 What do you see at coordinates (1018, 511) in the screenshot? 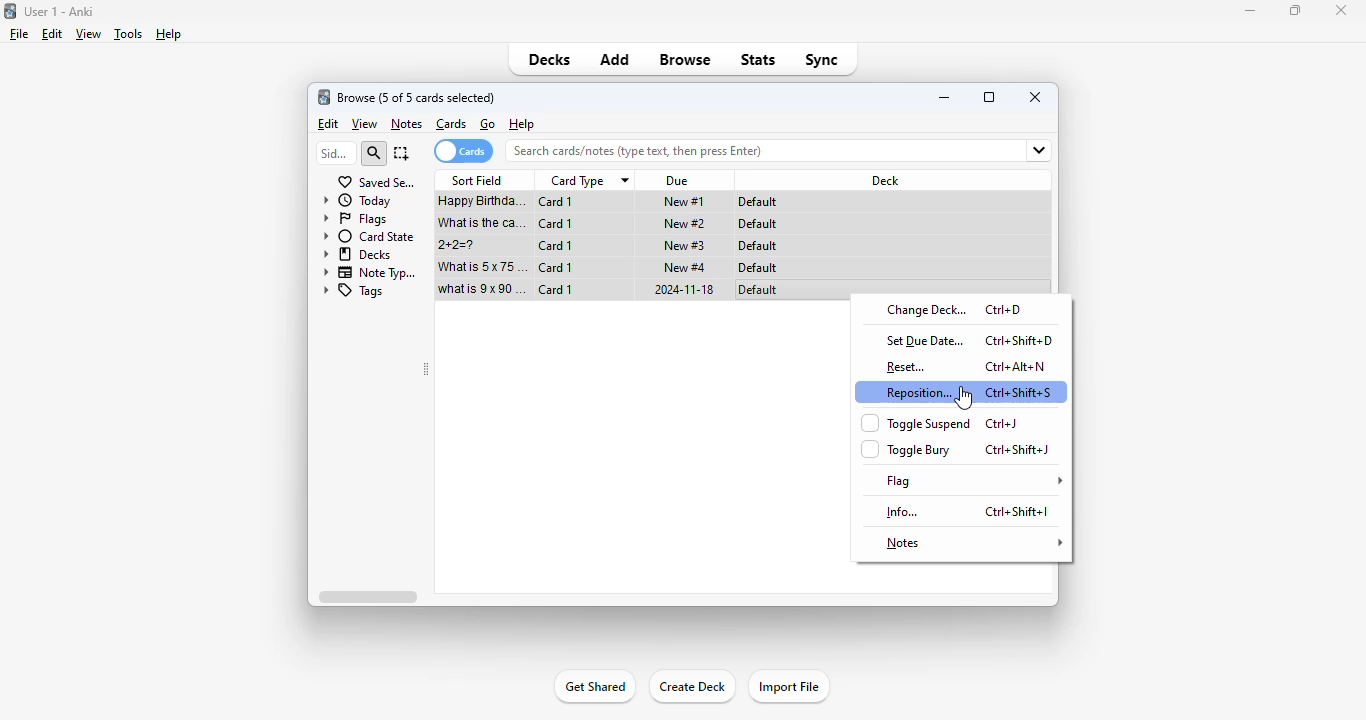
I see `shortcut for info` at bounding box center [1018, 511].